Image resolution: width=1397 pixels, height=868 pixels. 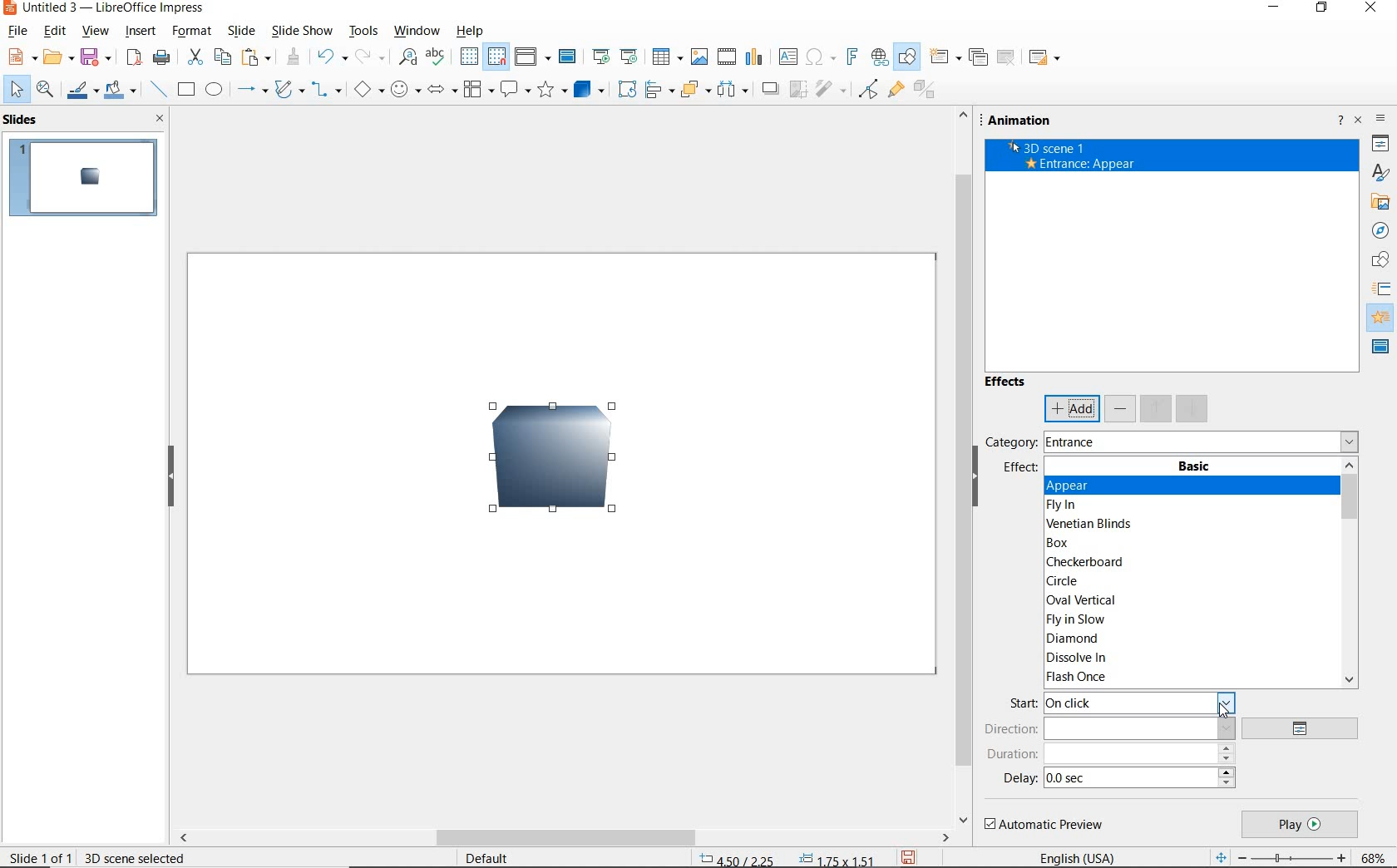 What do you see at coordinates (326, 91) in the screenshot?
I see `connectors` at bounding box center [326, 91].